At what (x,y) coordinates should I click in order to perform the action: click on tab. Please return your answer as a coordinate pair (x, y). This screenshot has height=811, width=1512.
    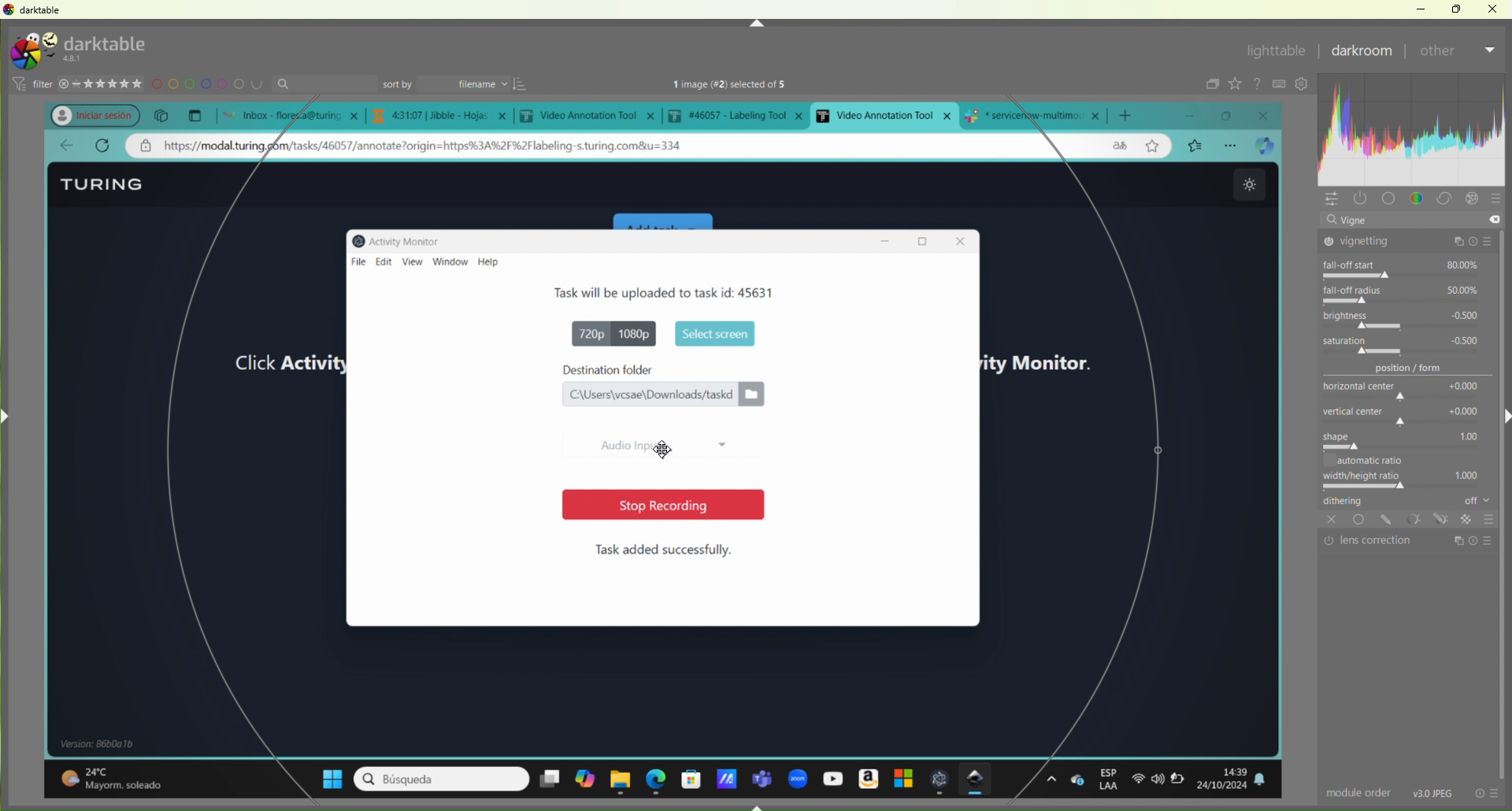
    Looking at the image, I should click on (443, 116).